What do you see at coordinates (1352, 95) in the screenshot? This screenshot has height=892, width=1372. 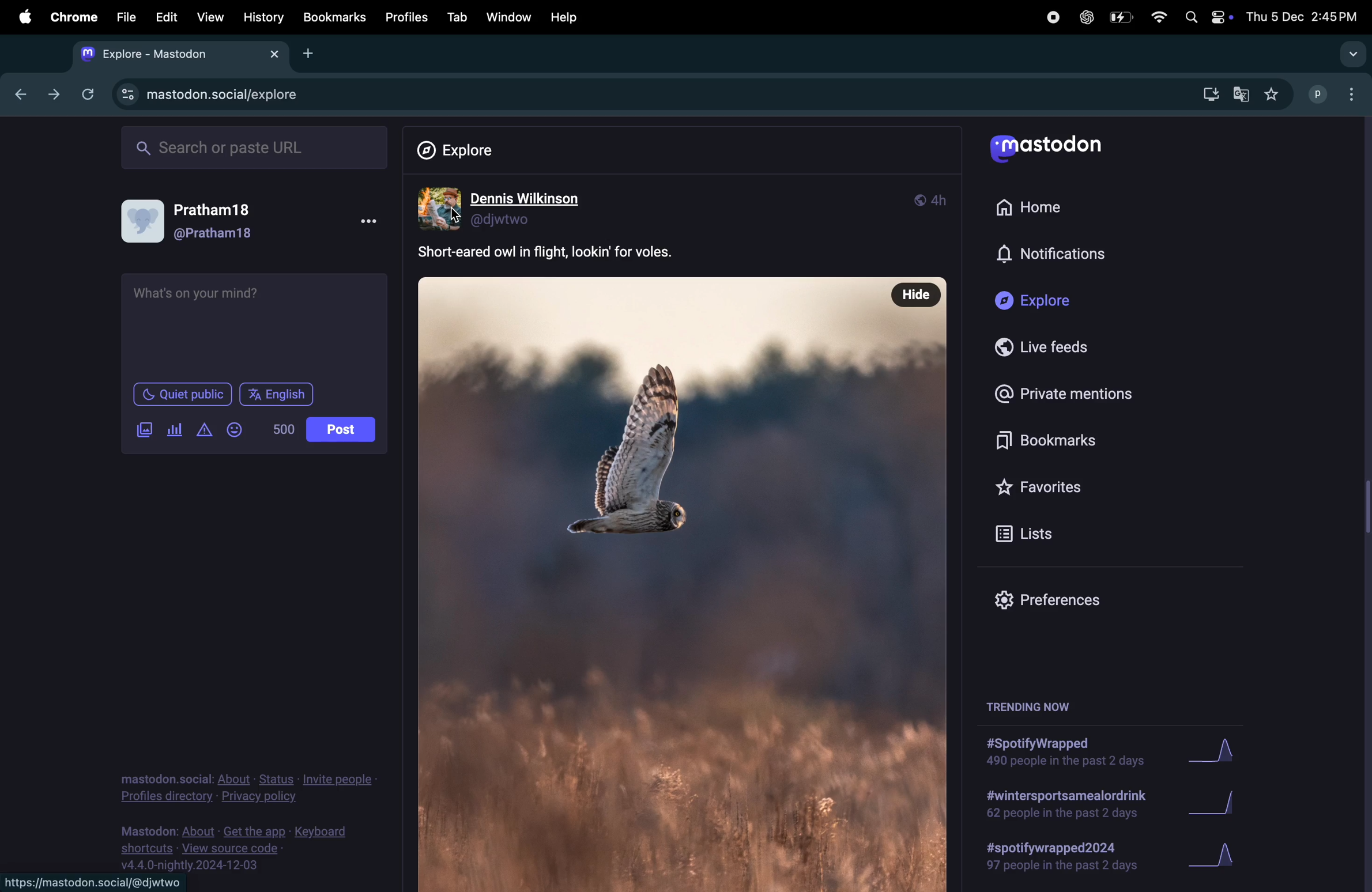 I see `option` at bounding box center [1352, 95].